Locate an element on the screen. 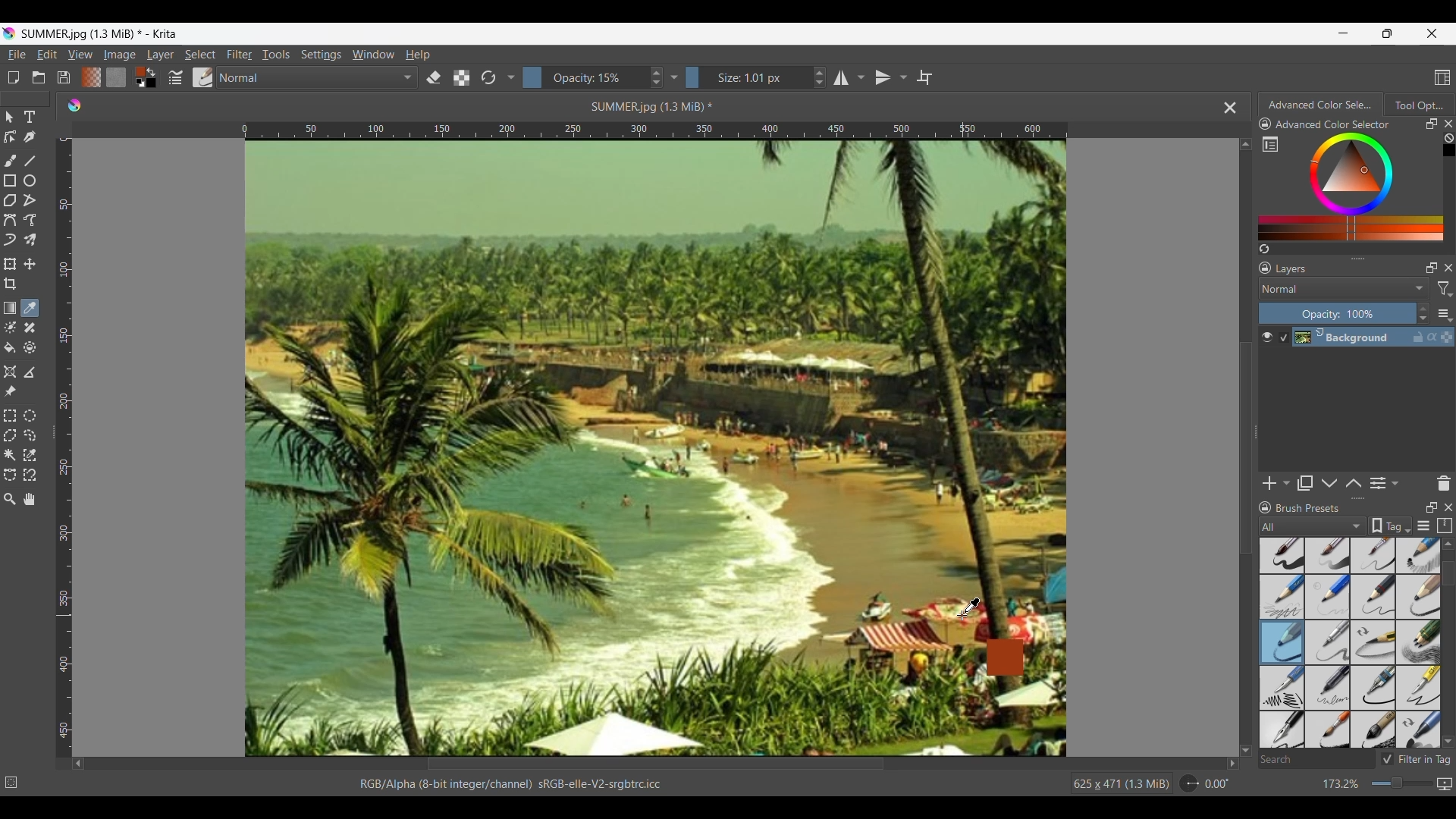  Elliptical selection tool is located at coordinates (29, 416).